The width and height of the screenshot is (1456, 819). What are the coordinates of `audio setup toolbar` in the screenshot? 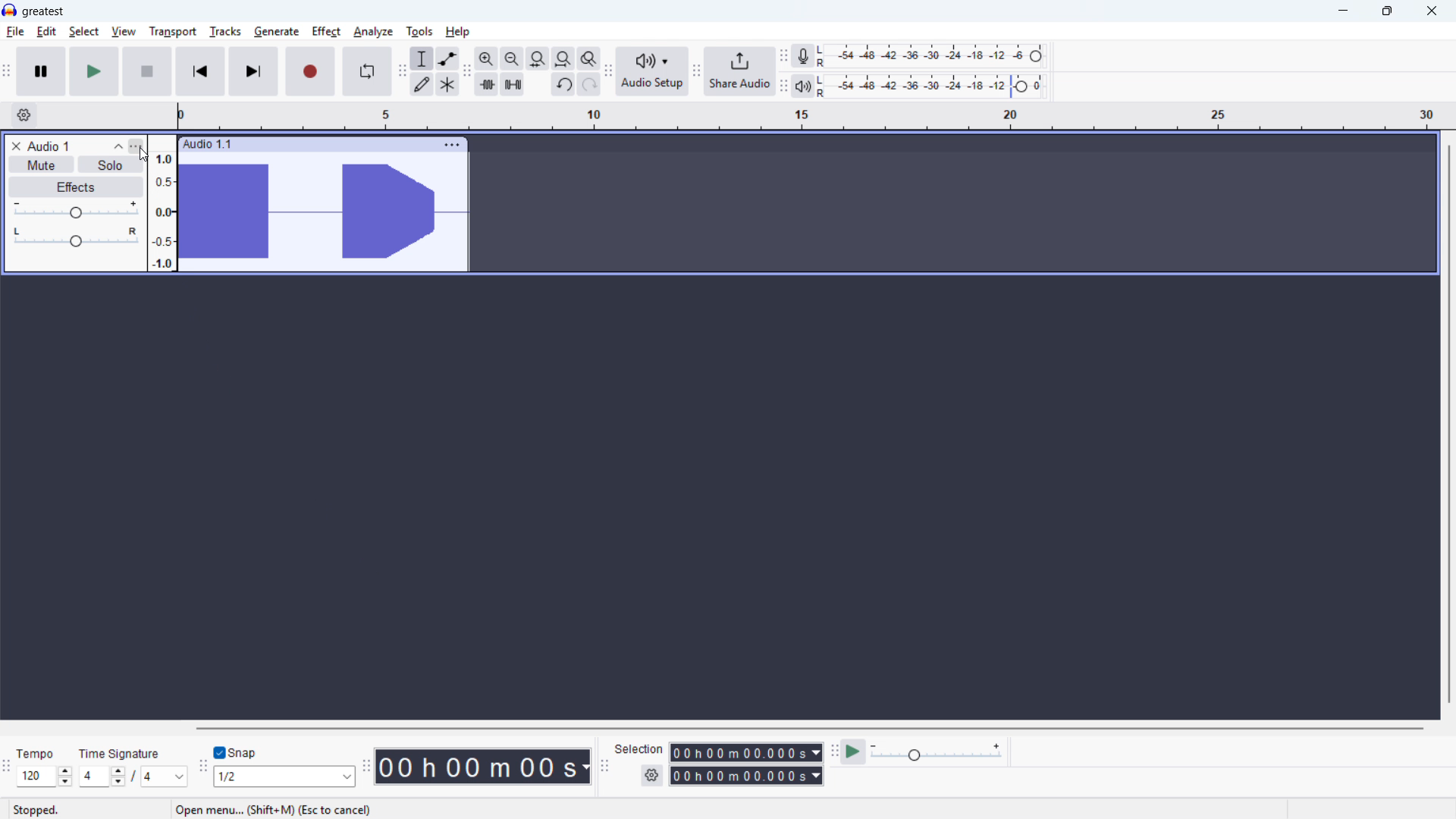 It's located at (607, 74).